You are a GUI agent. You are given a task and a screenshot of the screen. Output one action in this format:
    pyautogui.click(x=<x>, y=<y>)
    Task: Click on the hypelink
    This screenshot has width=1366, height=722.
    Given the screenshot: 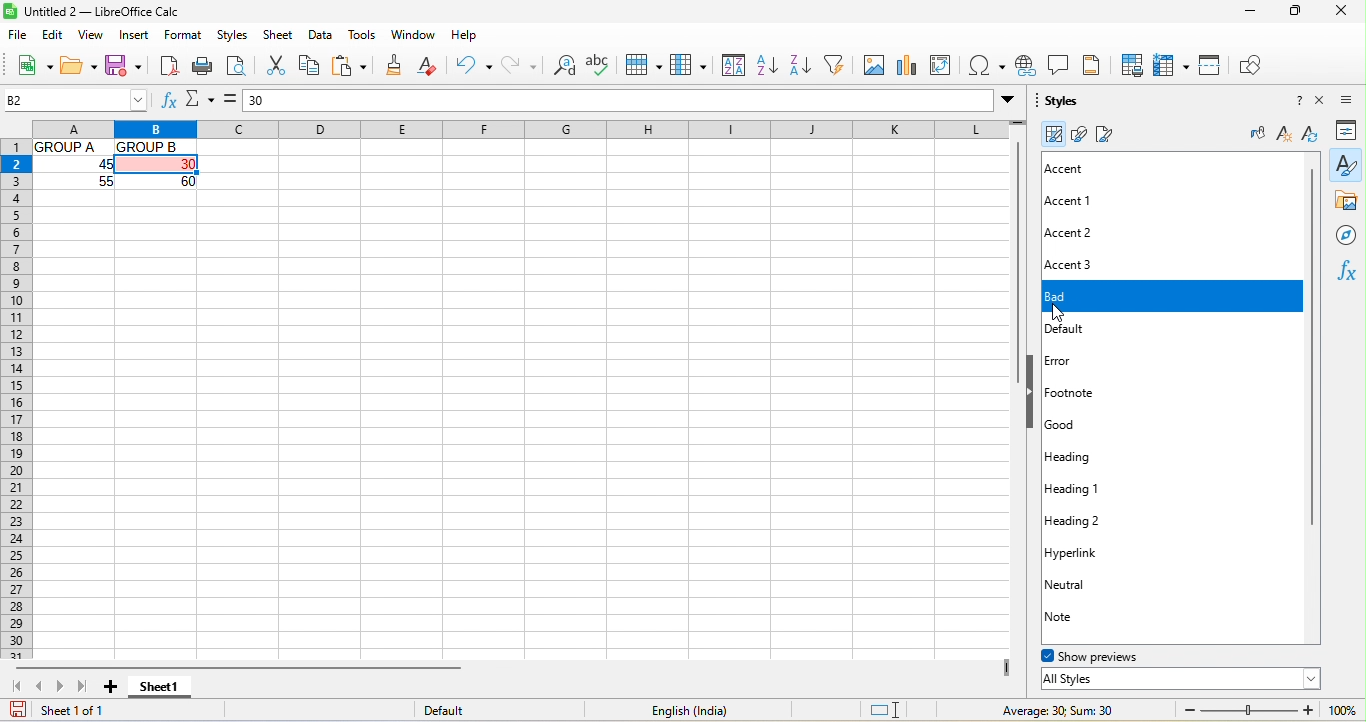 What is the action you would take?
    pyautogui.click(x=1028, y=65)
    